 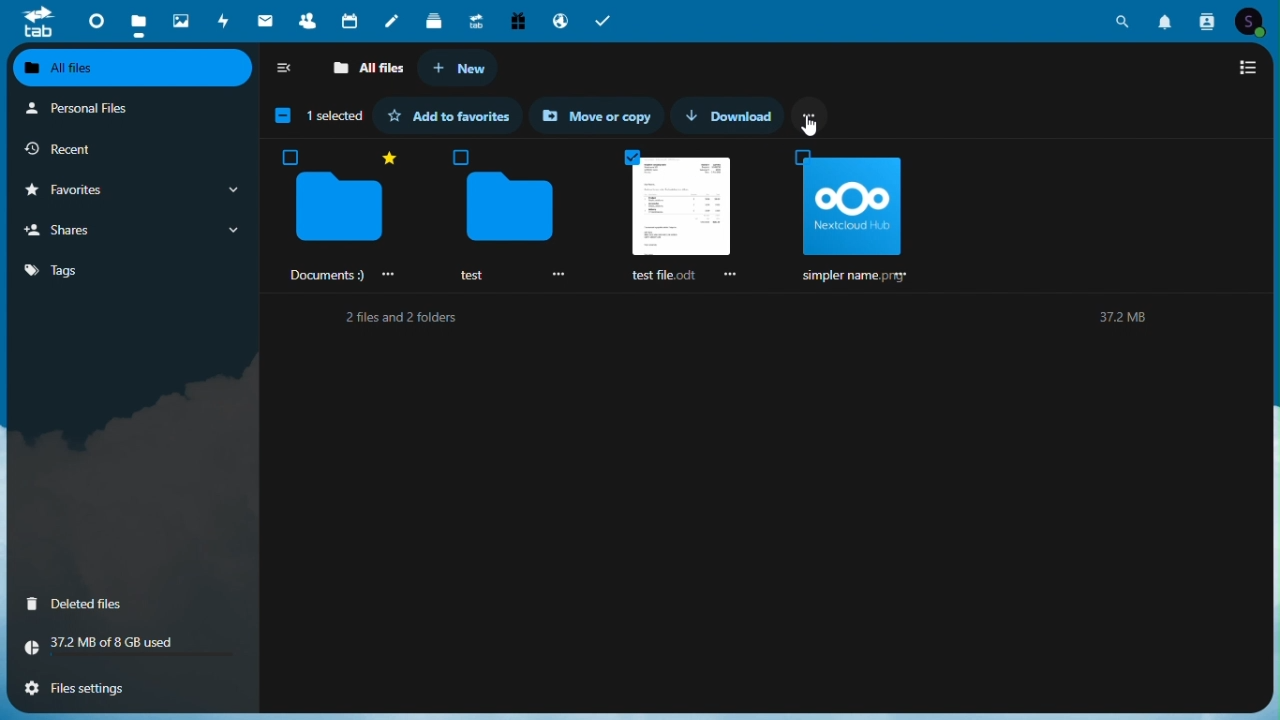 What do you see at coordinates (305, 19) in the screenshot?
I see `Contacts` at bounding box center [305, 19].